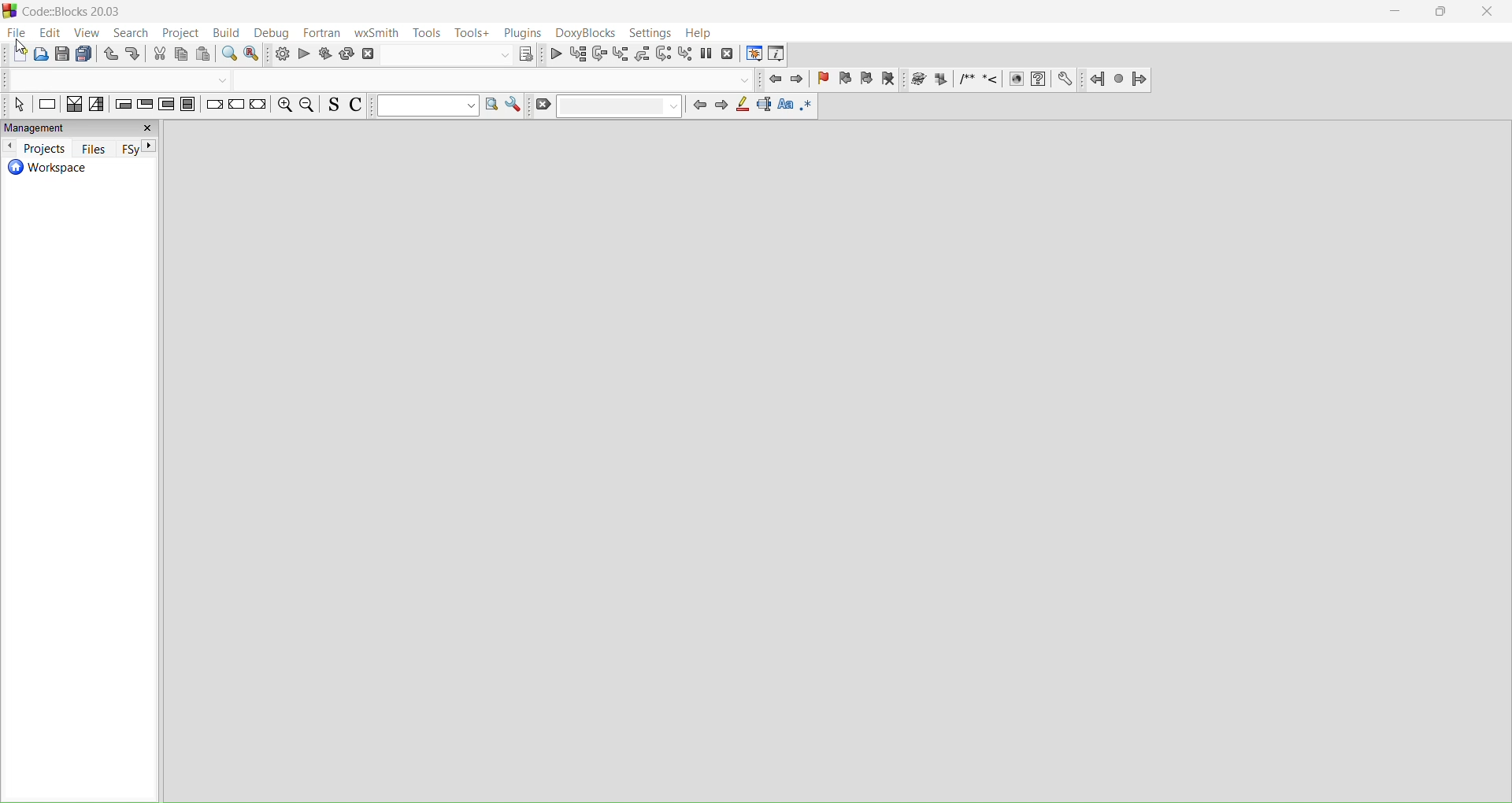  I want to click on abort, so click(369, 54).